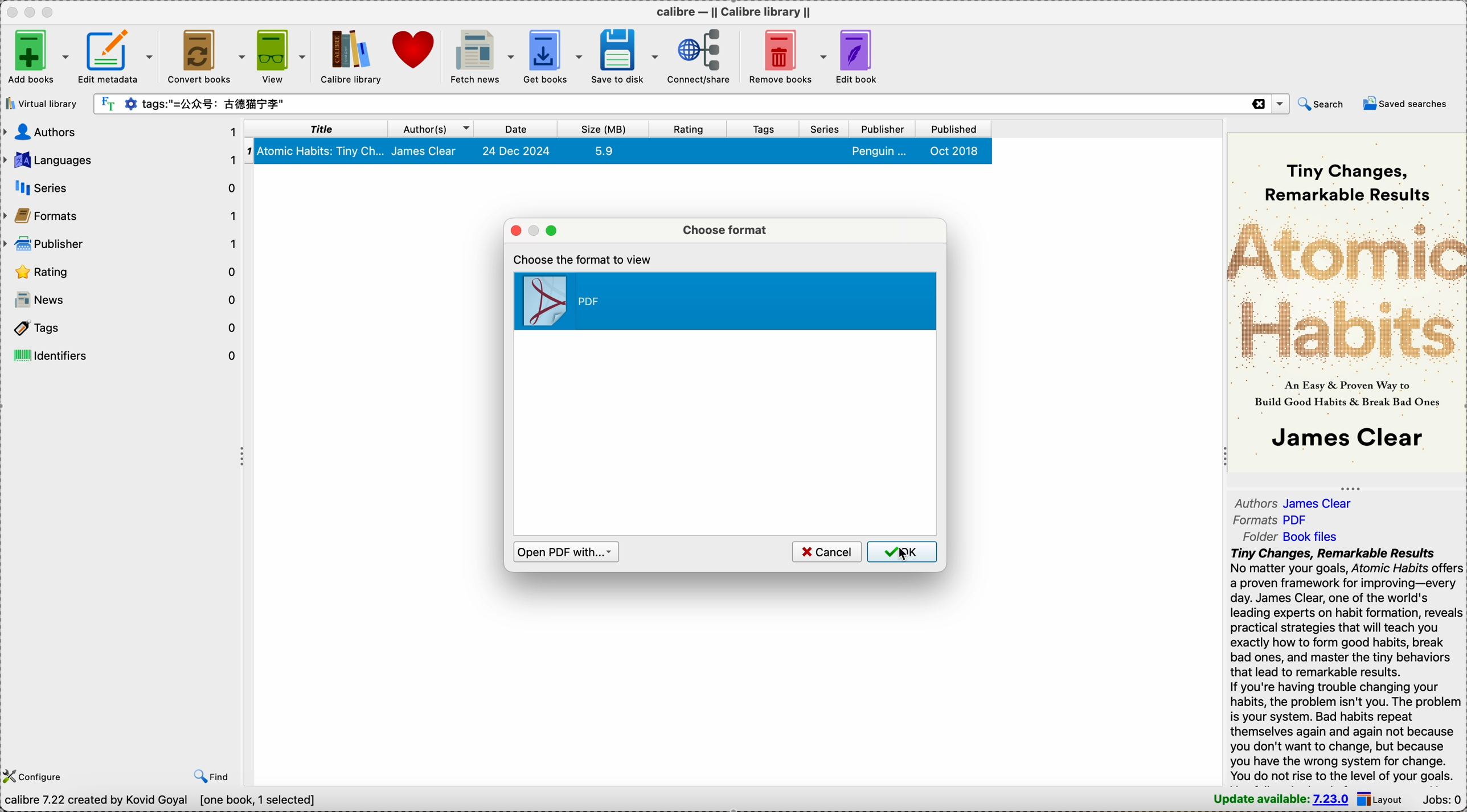 This screenshot has width=1467, height=812. Describe the element at coordinates (858, 58) in the screenshot. I see `edit book` at that location.